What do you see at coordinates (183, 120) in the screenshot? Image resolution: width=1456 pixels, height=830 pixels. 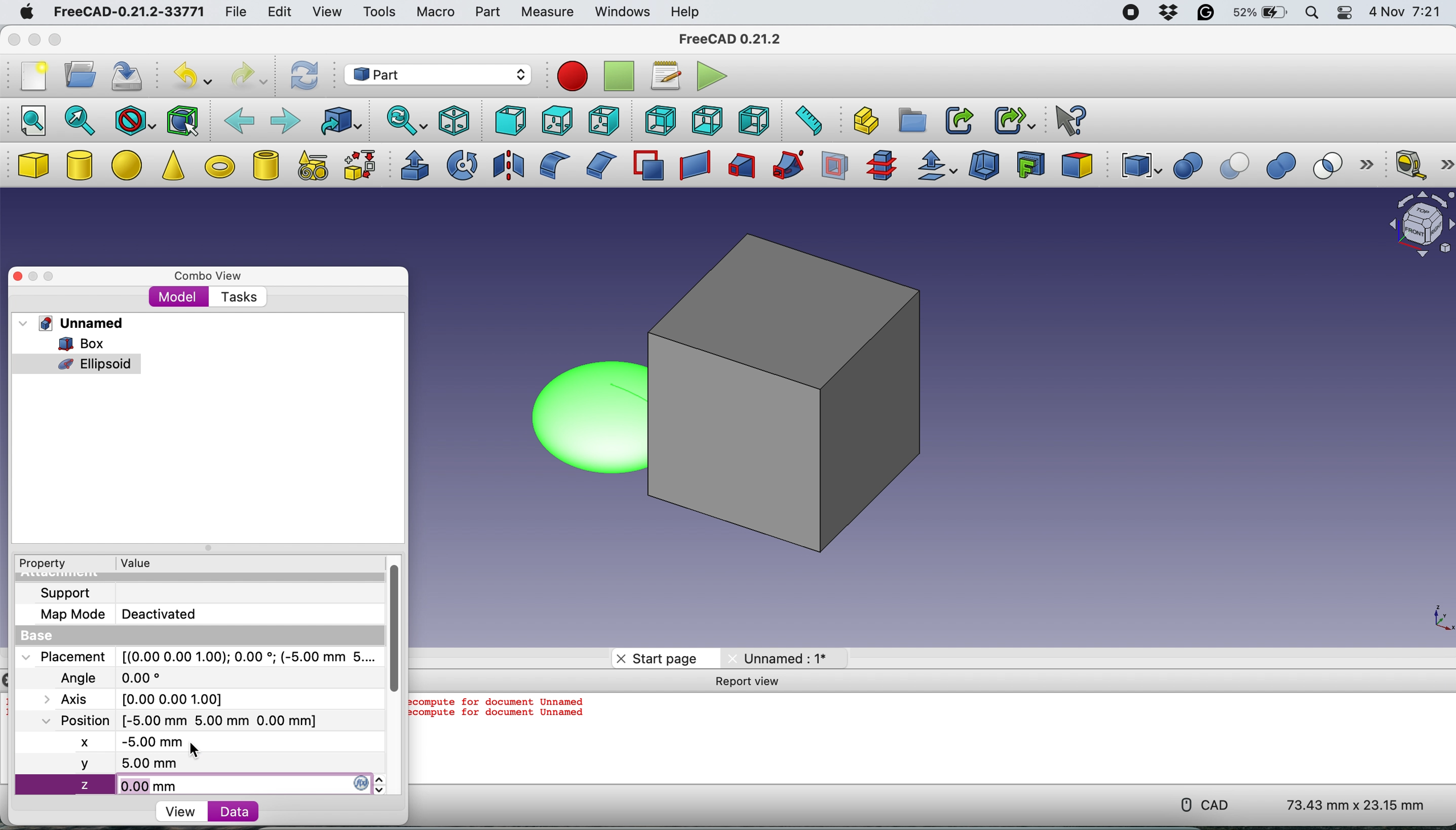 I see `bounding box` at bounding box center [183, 120].